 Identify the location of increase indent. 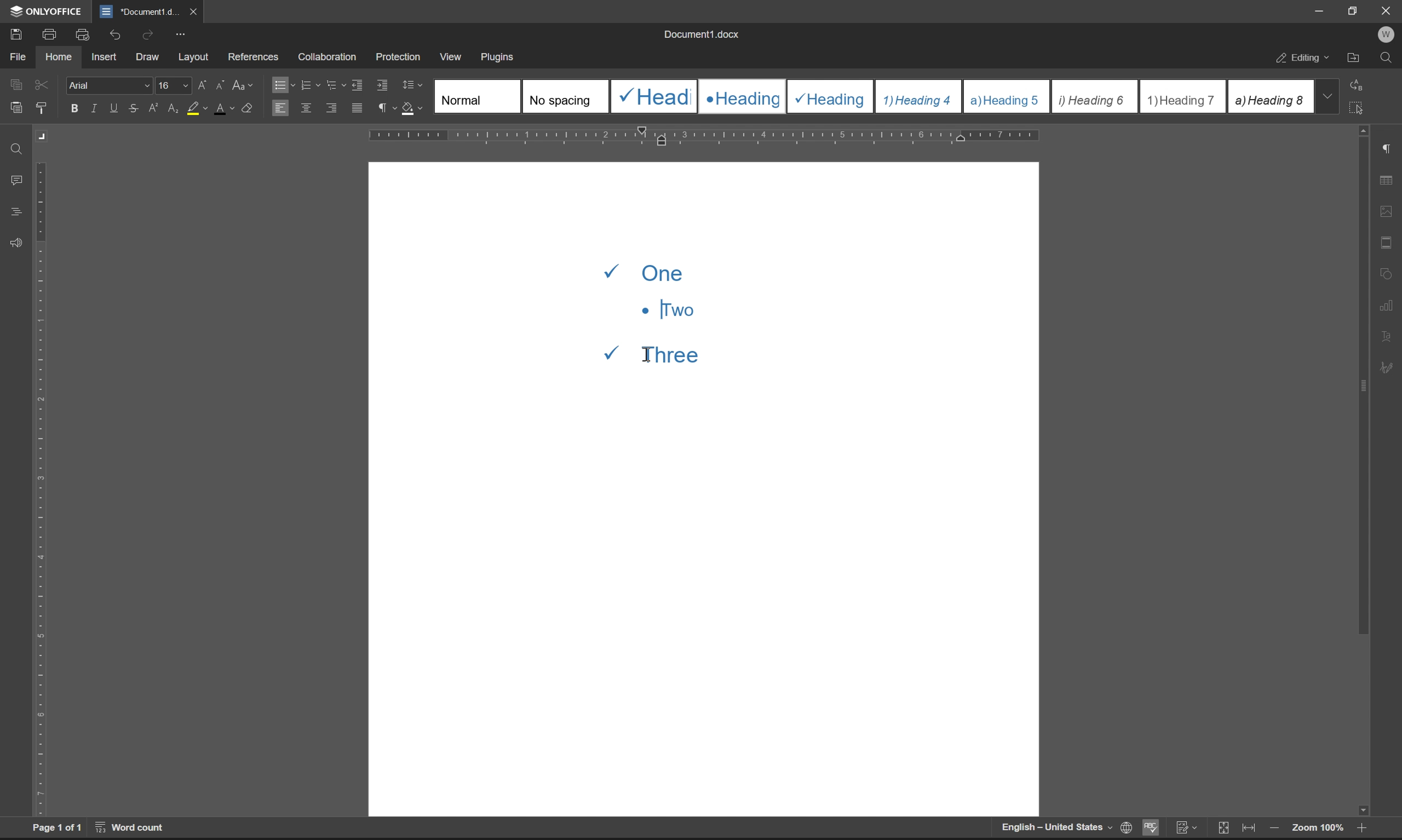
(383, 85).